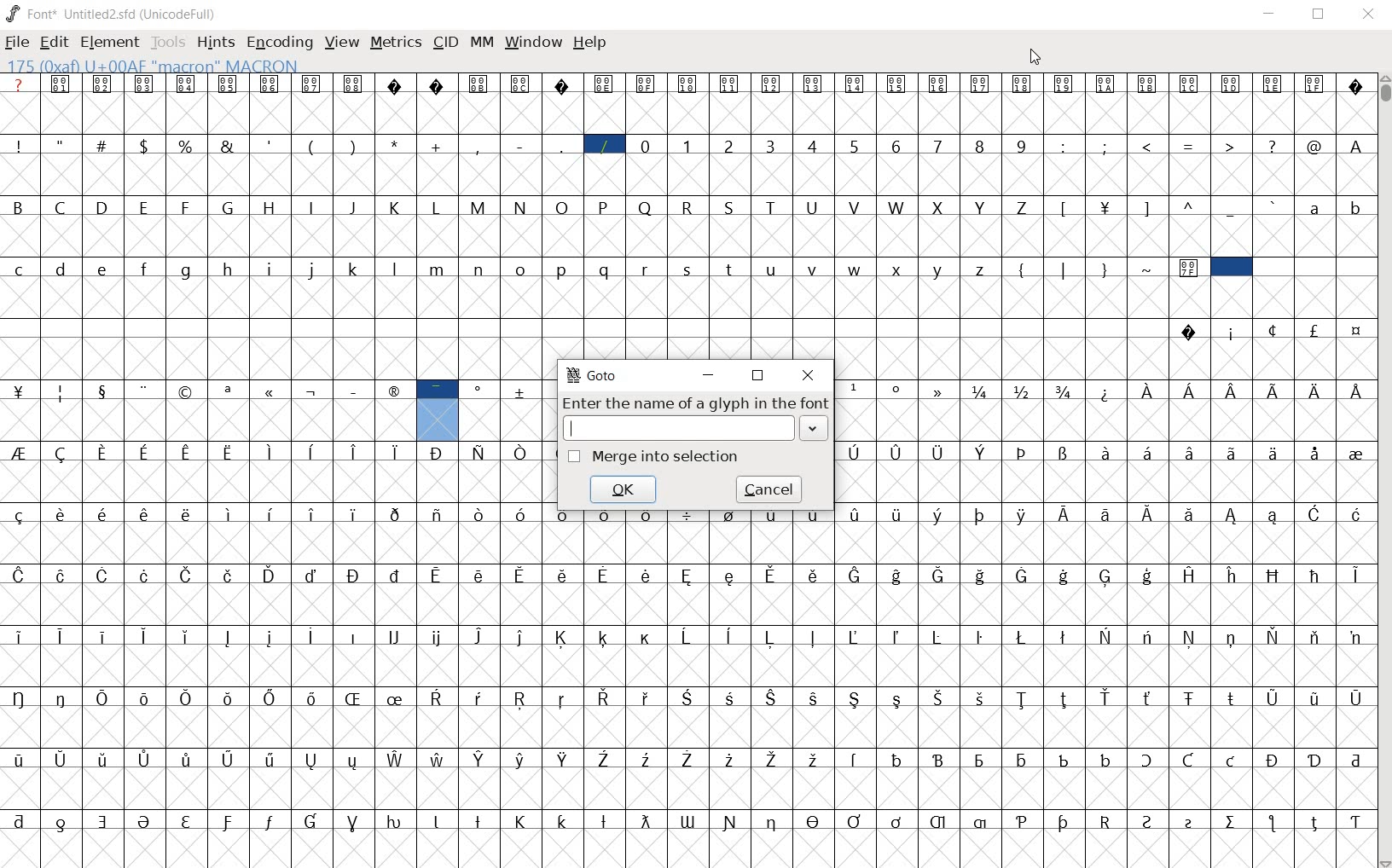 The width and height of the screenshot is (1392, 868). I want to click on MINIMIZE, so click(1269, 13).